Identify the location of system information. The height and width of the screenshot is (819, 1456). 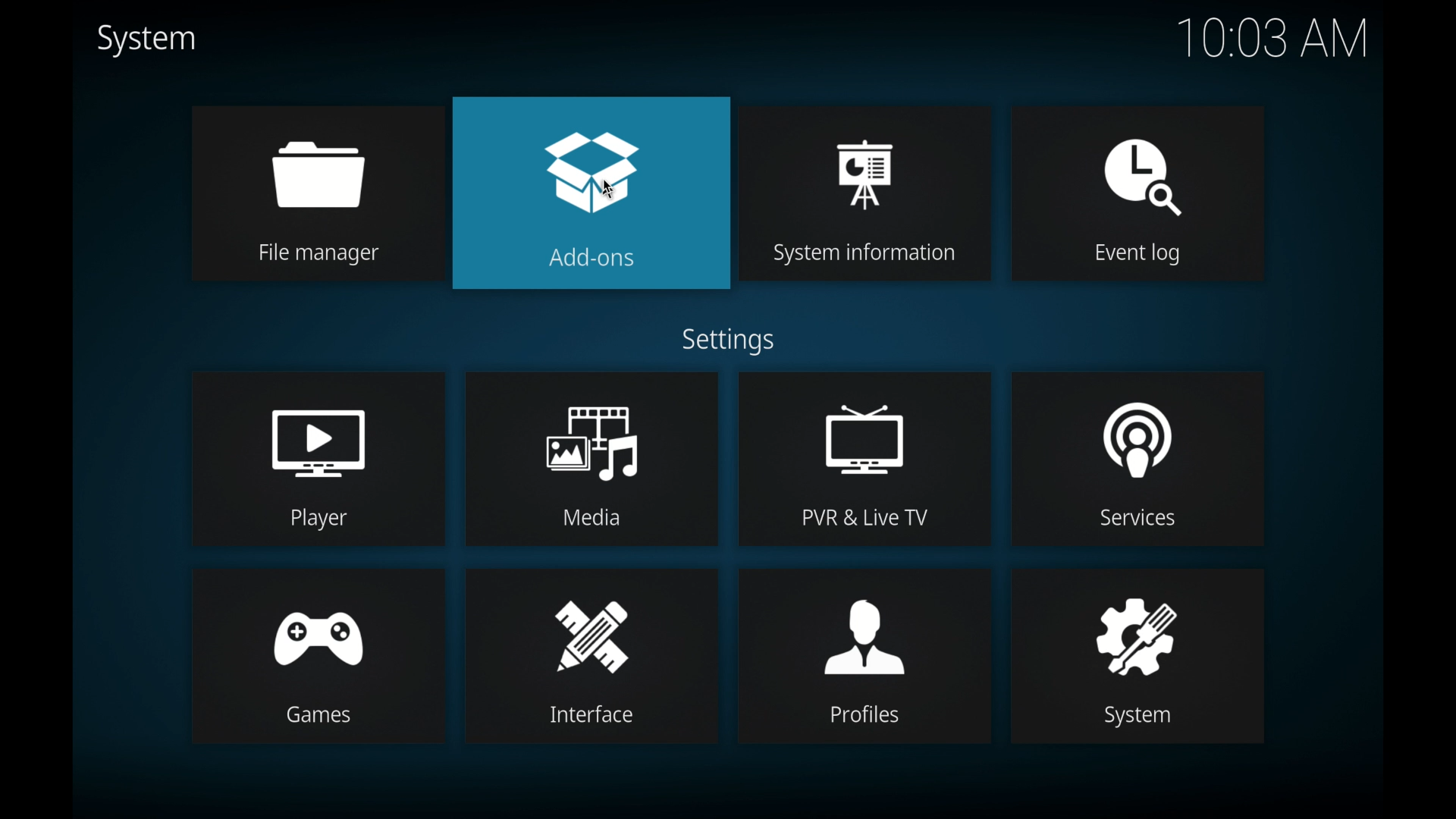
(864, 194).